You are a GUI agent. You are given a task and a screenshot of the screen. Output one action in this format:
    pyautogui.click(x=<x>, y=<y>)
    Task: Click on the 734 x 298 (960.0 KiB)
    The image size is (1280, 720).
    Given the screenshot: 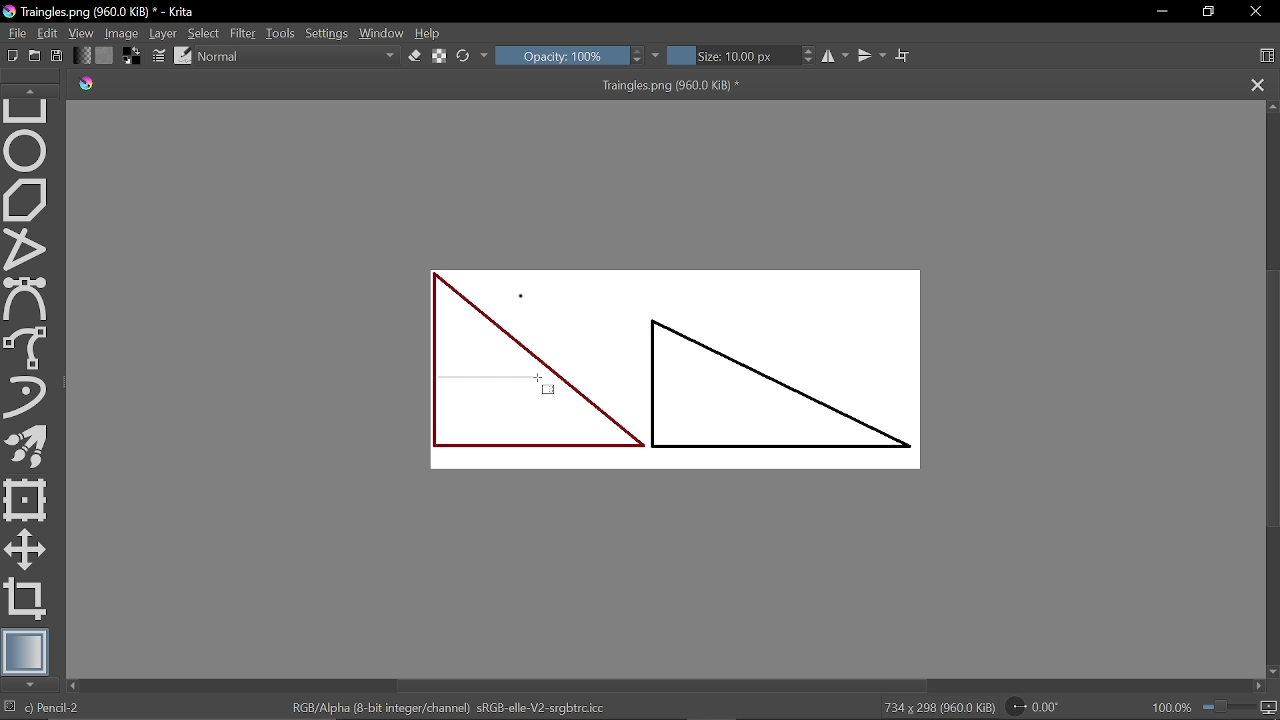 What is the action you would take?
    pyautogui.click(x=938, y=708)
    